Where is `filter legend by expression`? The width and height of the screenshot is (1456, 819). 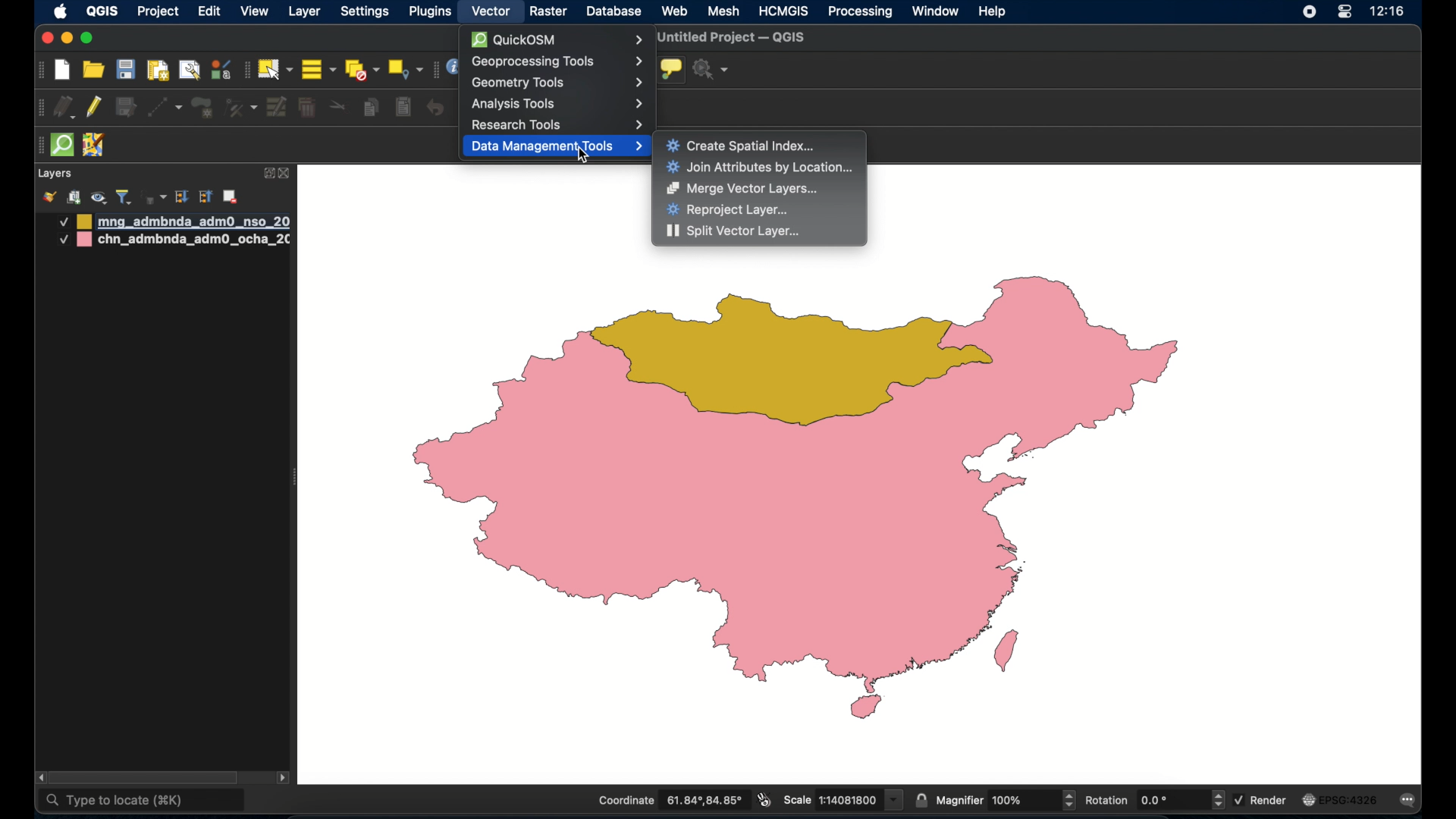 filter legend by expression is located at coordinates (152, 196).